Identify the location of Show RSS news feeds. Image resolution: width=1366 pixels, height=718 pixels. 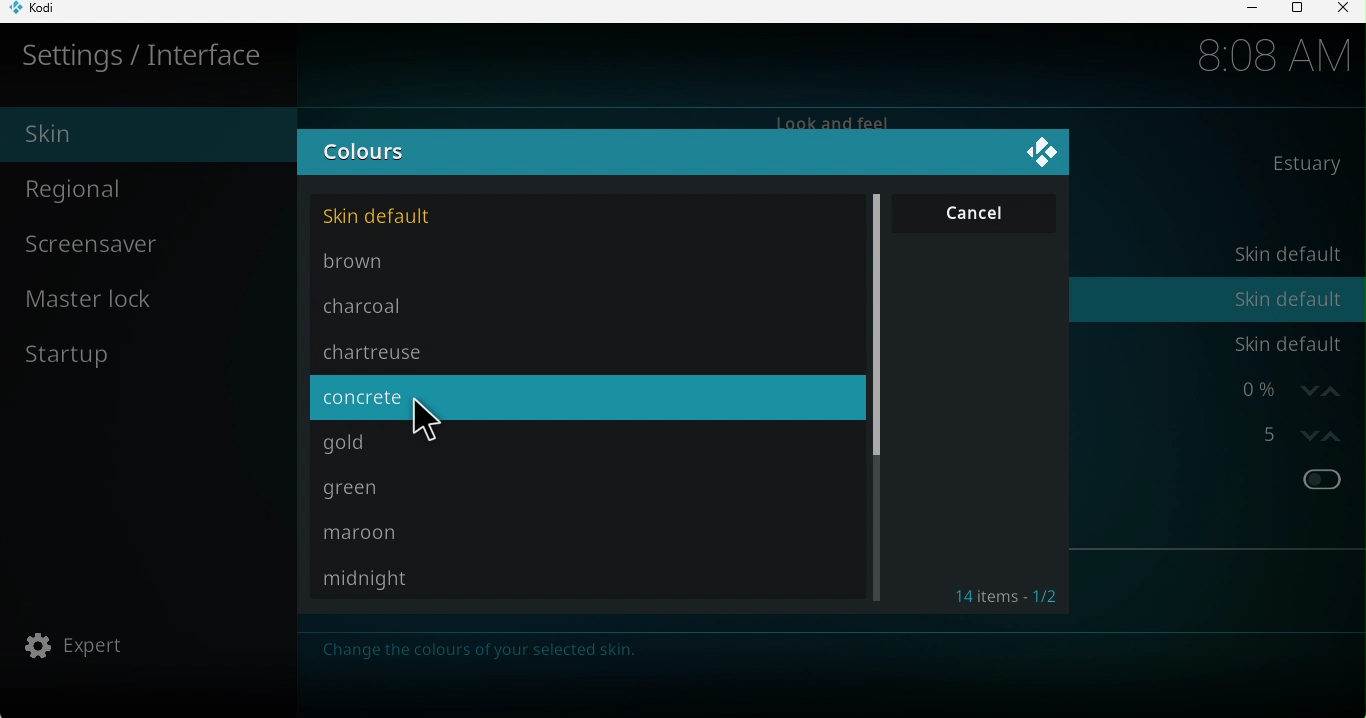
(1221, 479).